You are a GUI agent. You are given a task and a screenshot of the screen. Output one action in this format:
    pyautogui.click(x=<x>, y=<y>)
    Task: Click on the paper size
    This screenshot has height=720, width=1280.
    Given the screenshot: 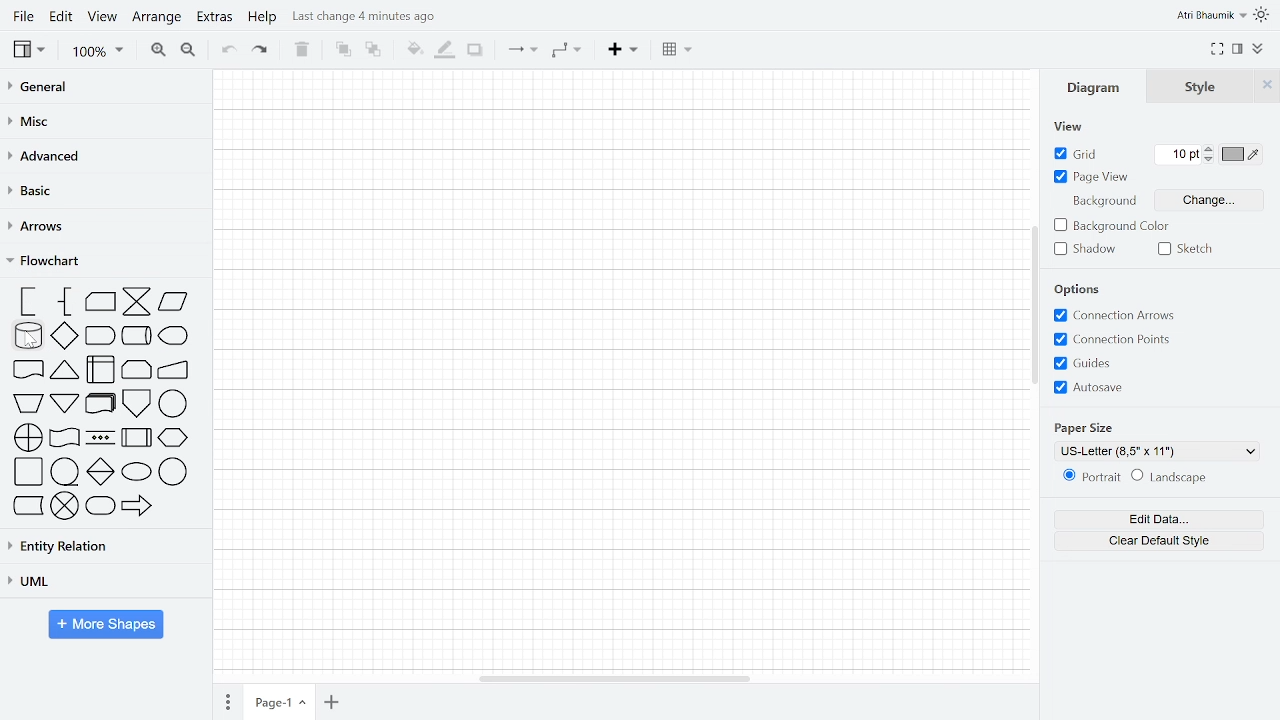 What is the action you would take?
    pyautogui.click(x=1090, y=426)
    